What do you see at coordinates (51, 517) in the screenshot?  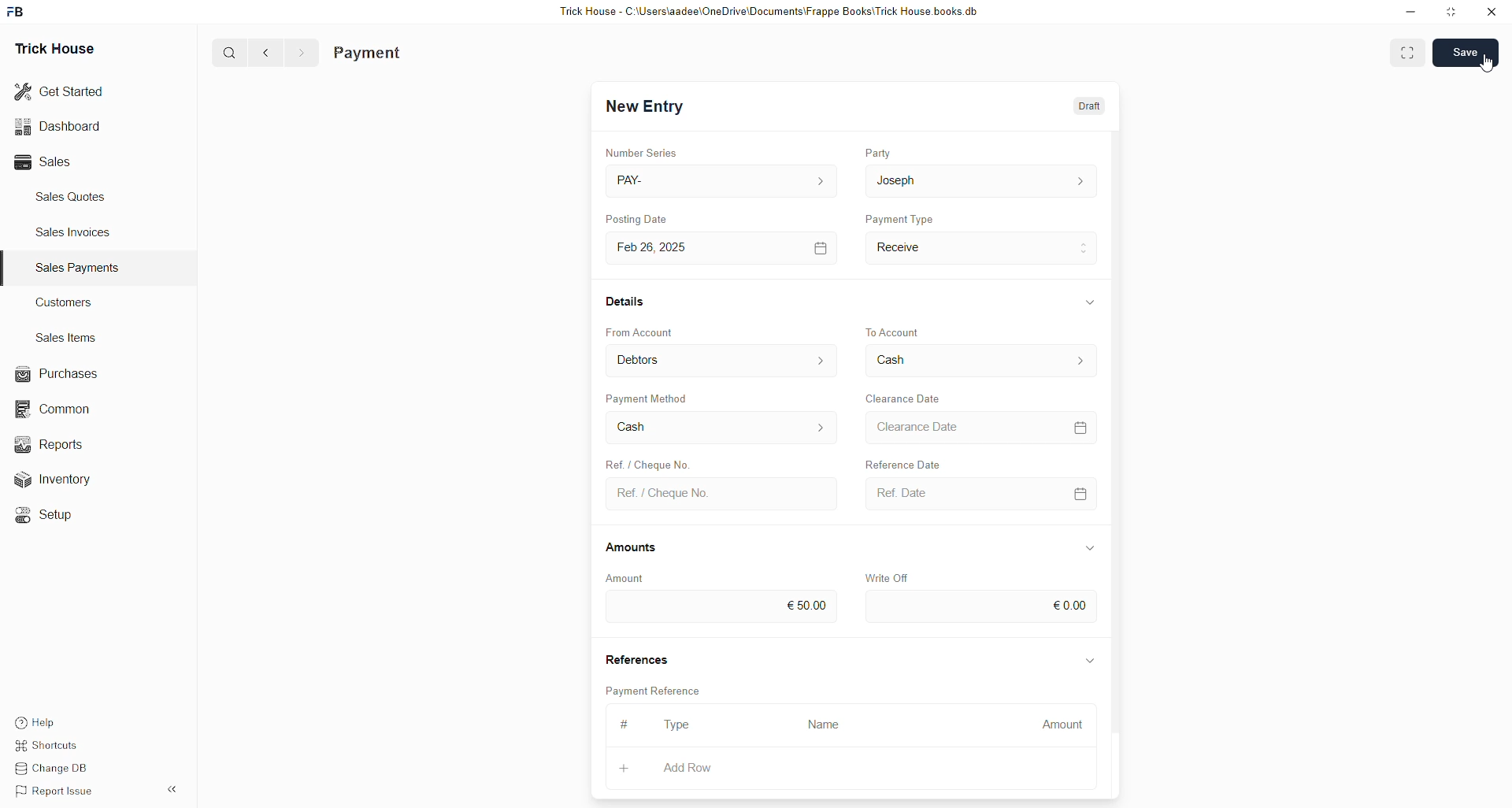 I see `Setup` at bounding box center [51, 517].